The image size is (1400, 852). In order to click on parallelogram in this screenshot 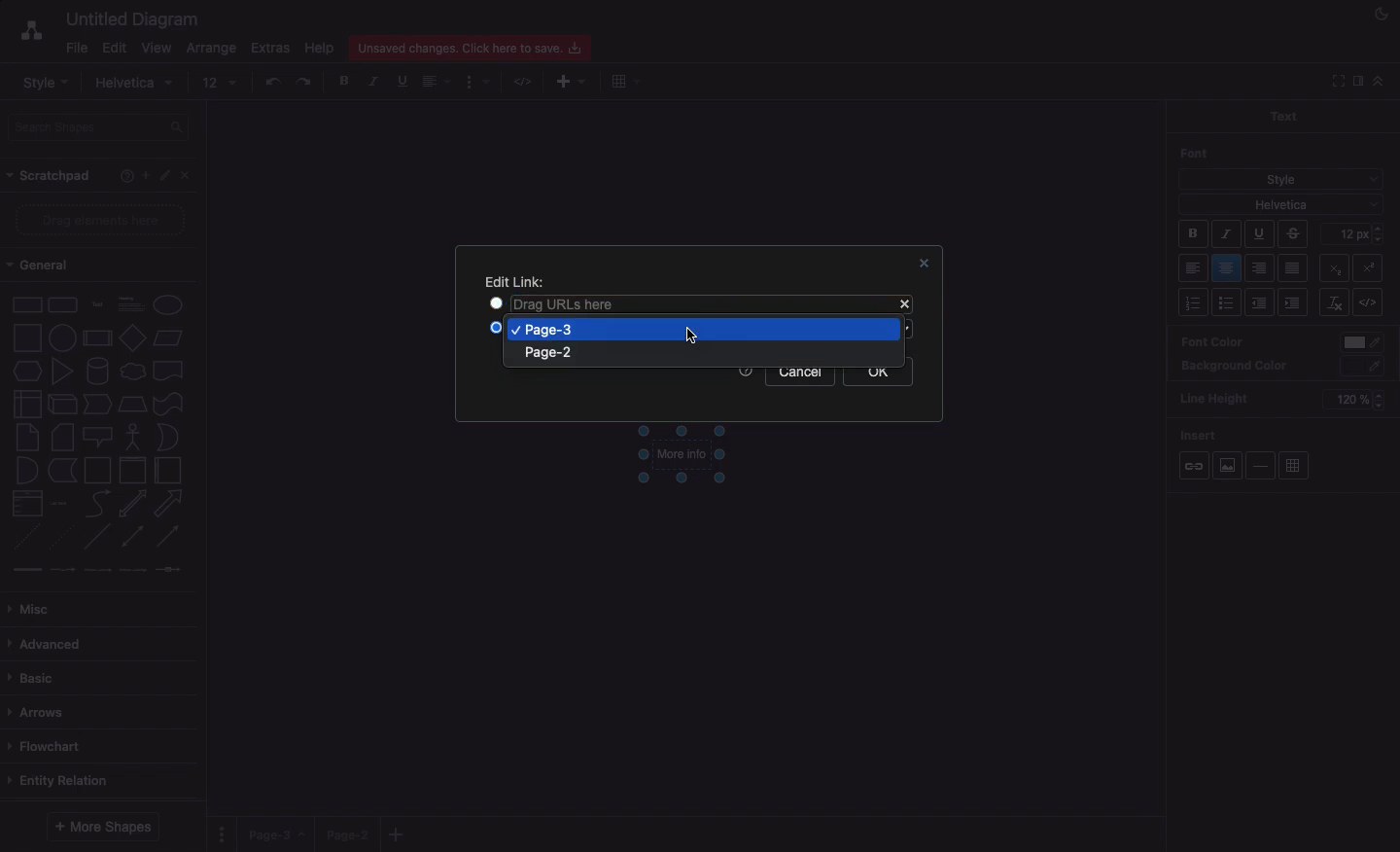, I will do `click(168, 337)`.